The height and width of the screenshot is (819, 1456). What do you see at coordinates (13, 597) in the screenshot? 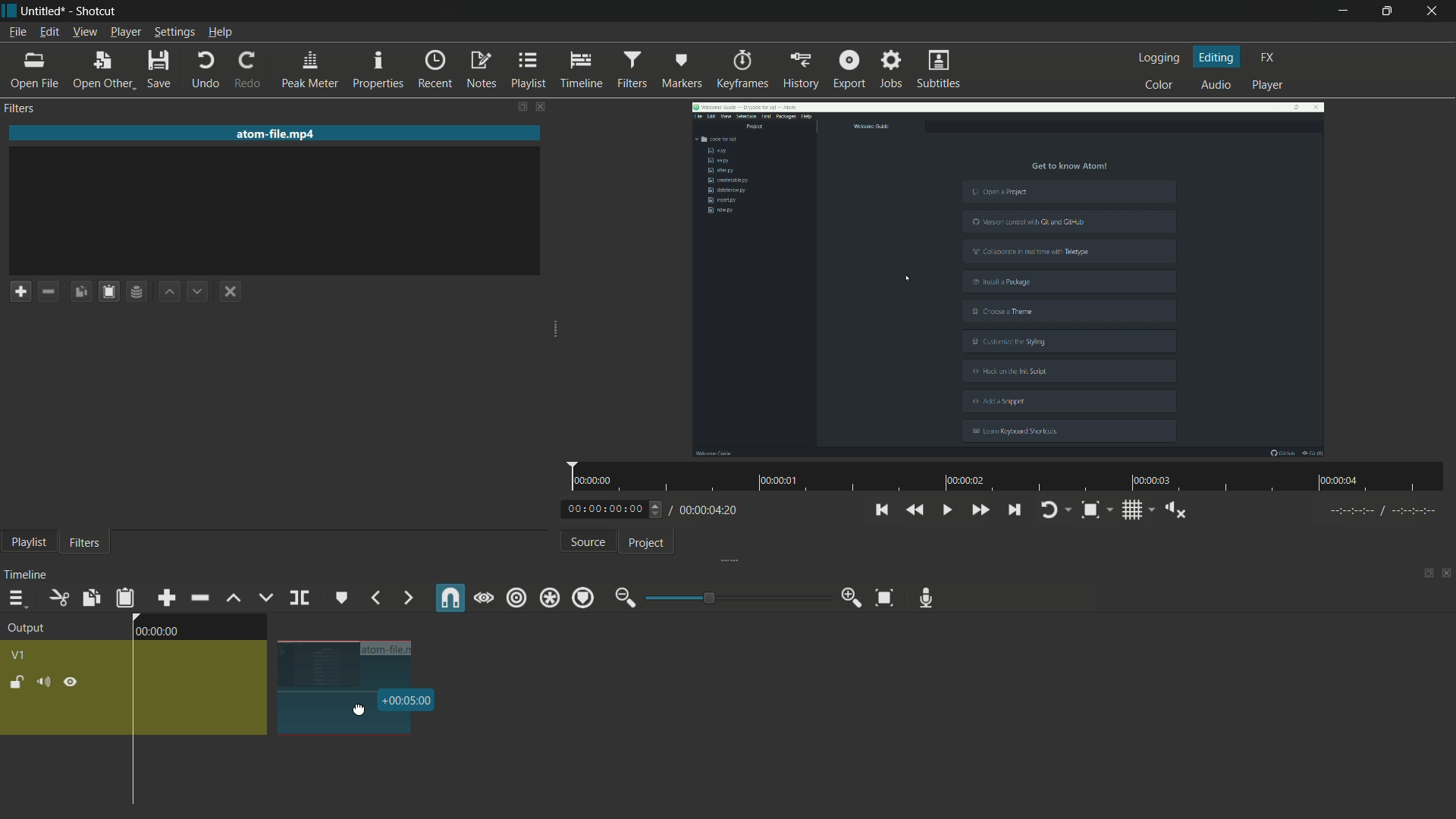
I see `timeline menu` at bounding box center [13, 597].